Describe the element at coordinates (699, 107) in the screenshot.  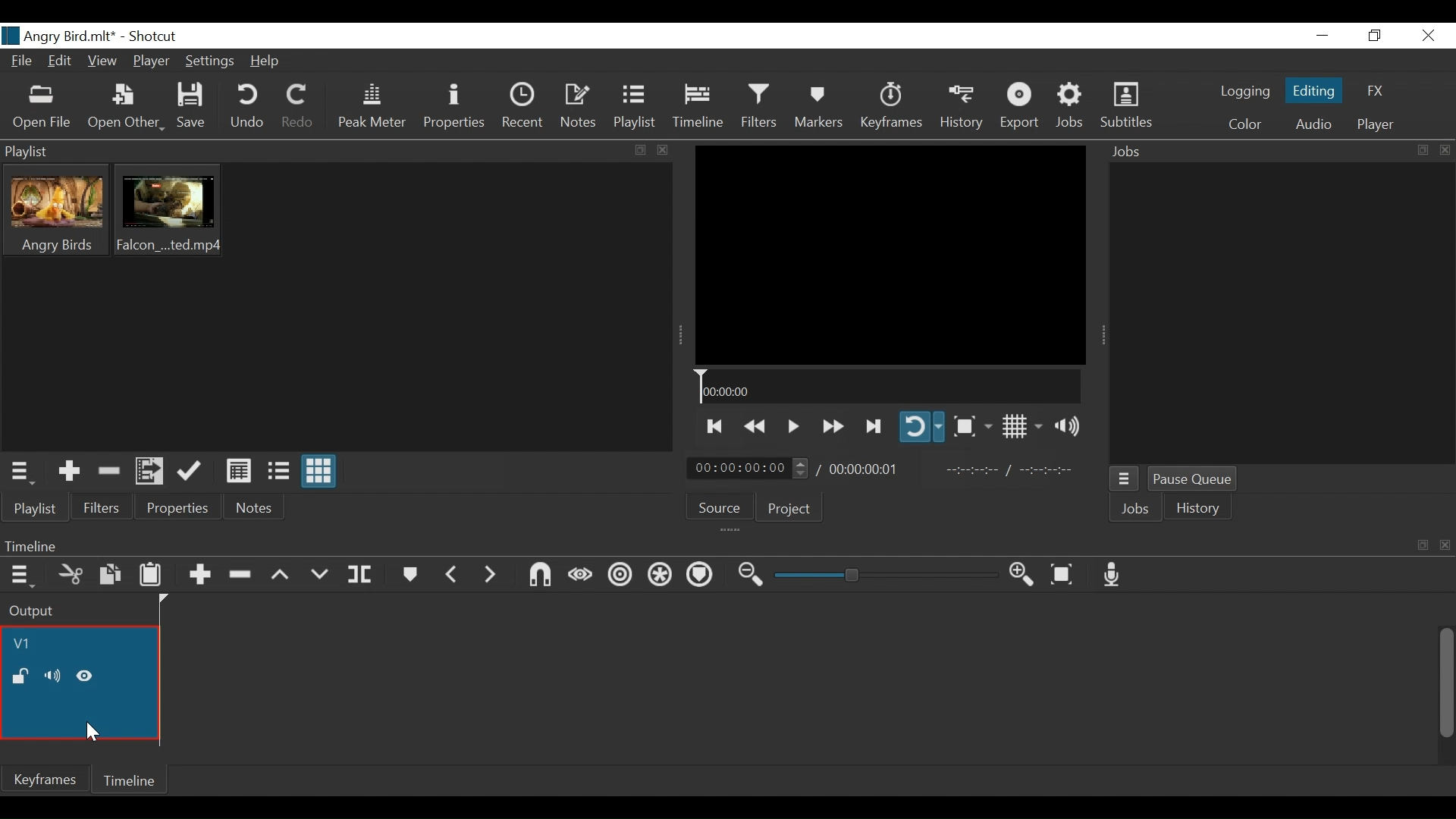
I see `` at that location.